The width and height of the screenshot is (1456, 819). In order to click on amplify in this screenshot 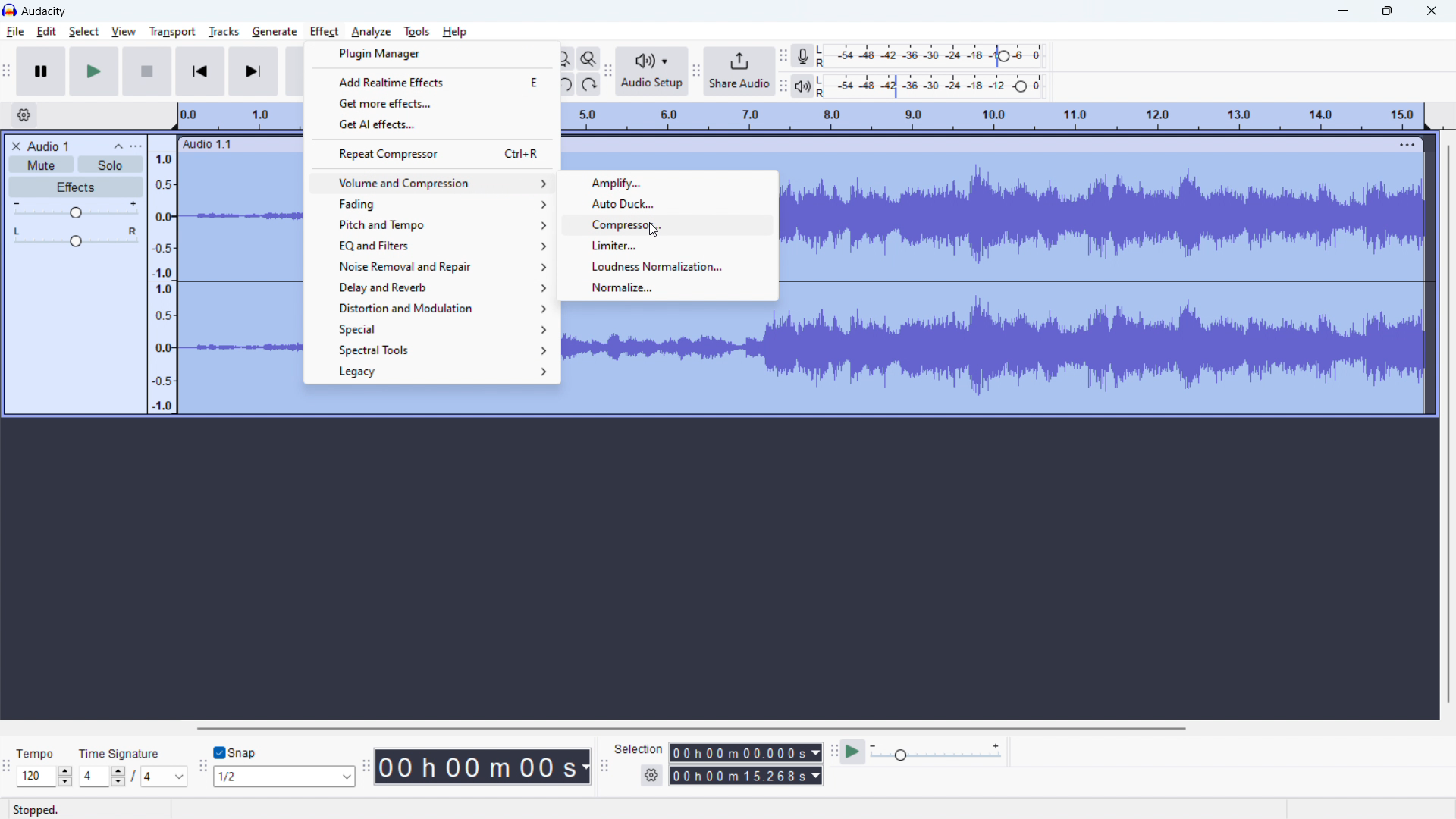, I will do `click(668, 184)`.